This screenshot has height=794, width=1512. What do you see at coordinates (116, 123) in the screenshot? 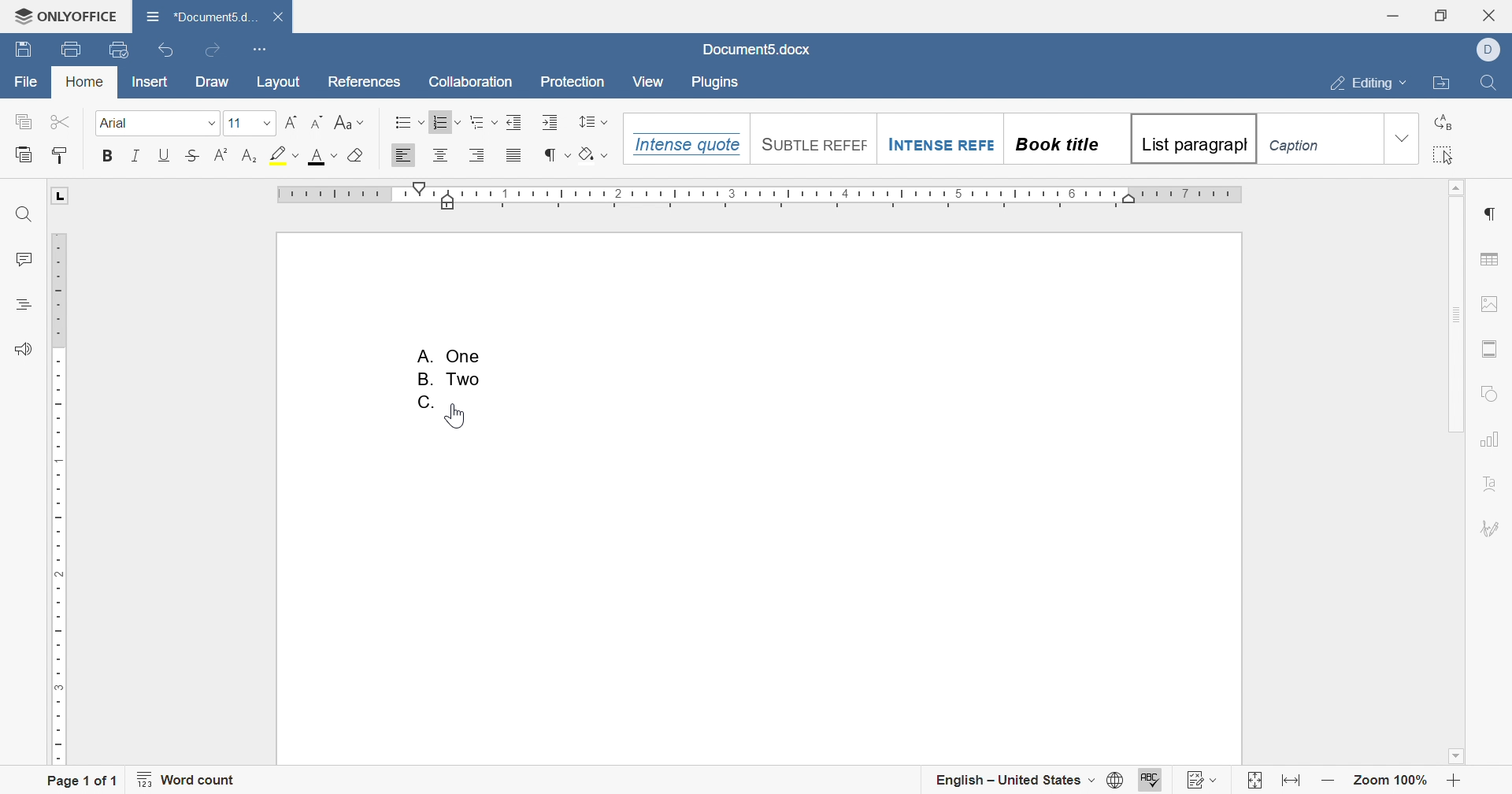
I see `Font` at bounding box center [116, 123].